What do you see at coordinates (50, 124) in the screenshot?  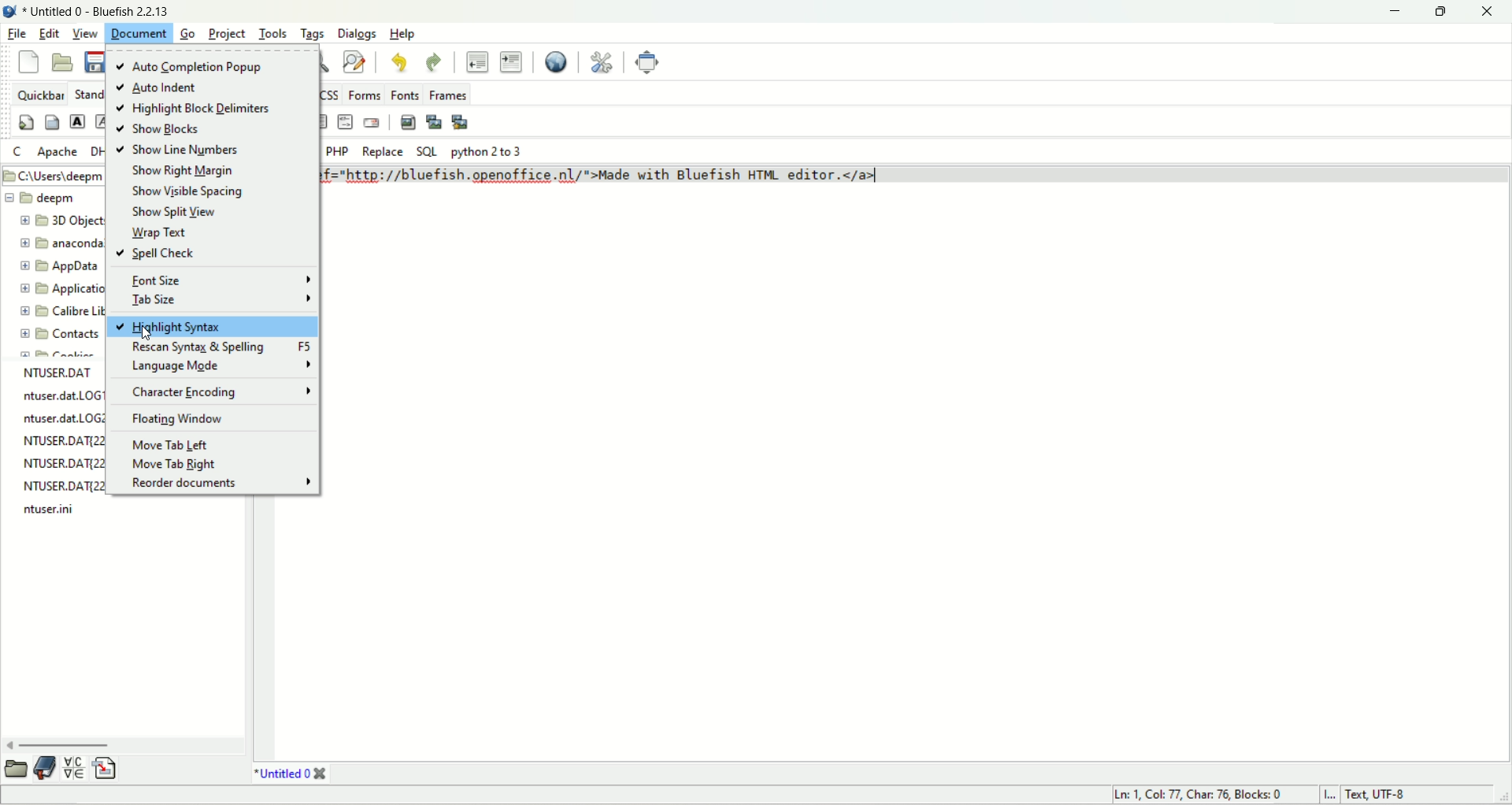 I see `body` at bounding box center [50, 124].